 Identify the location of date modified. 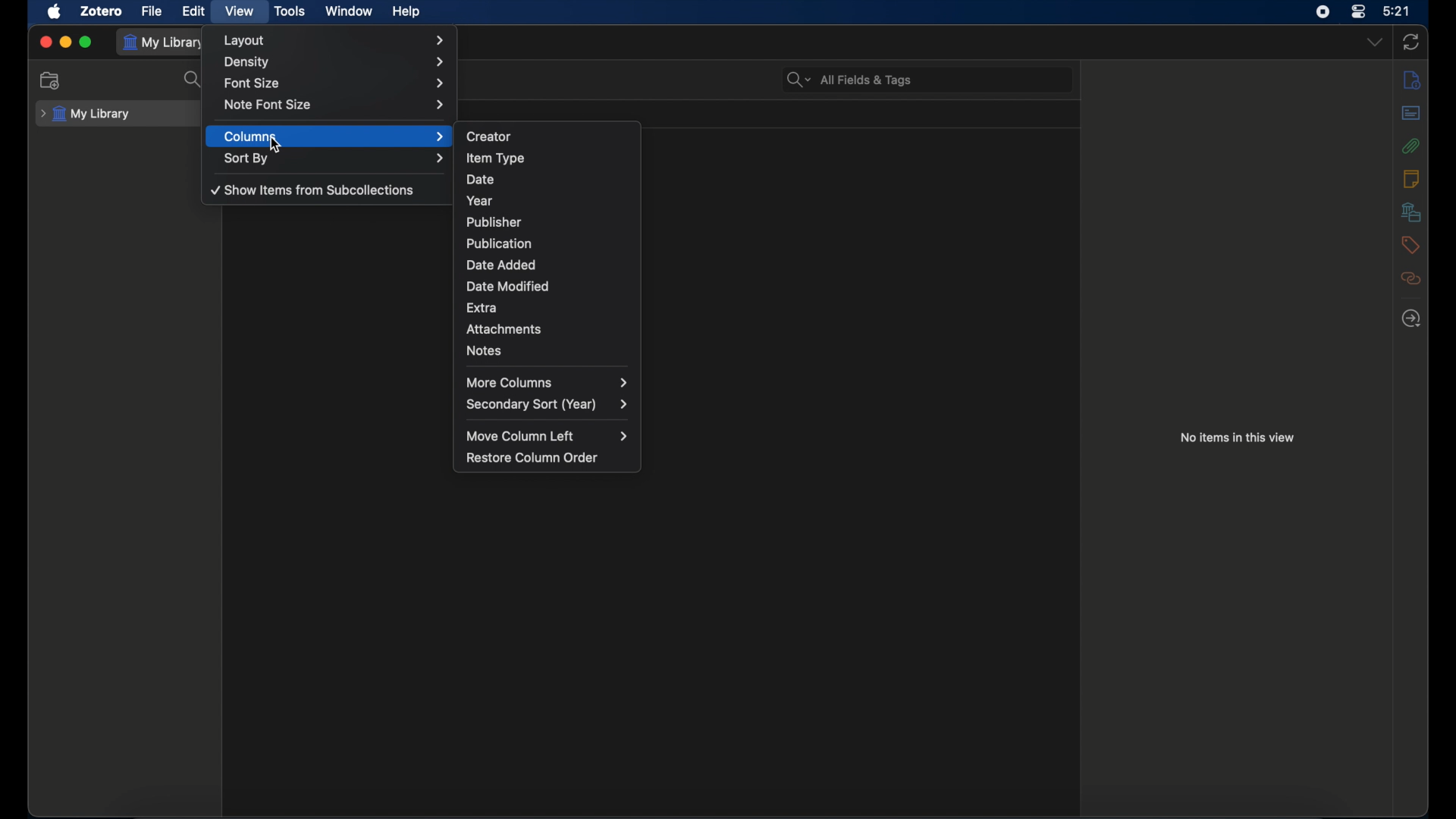
(550, 284).